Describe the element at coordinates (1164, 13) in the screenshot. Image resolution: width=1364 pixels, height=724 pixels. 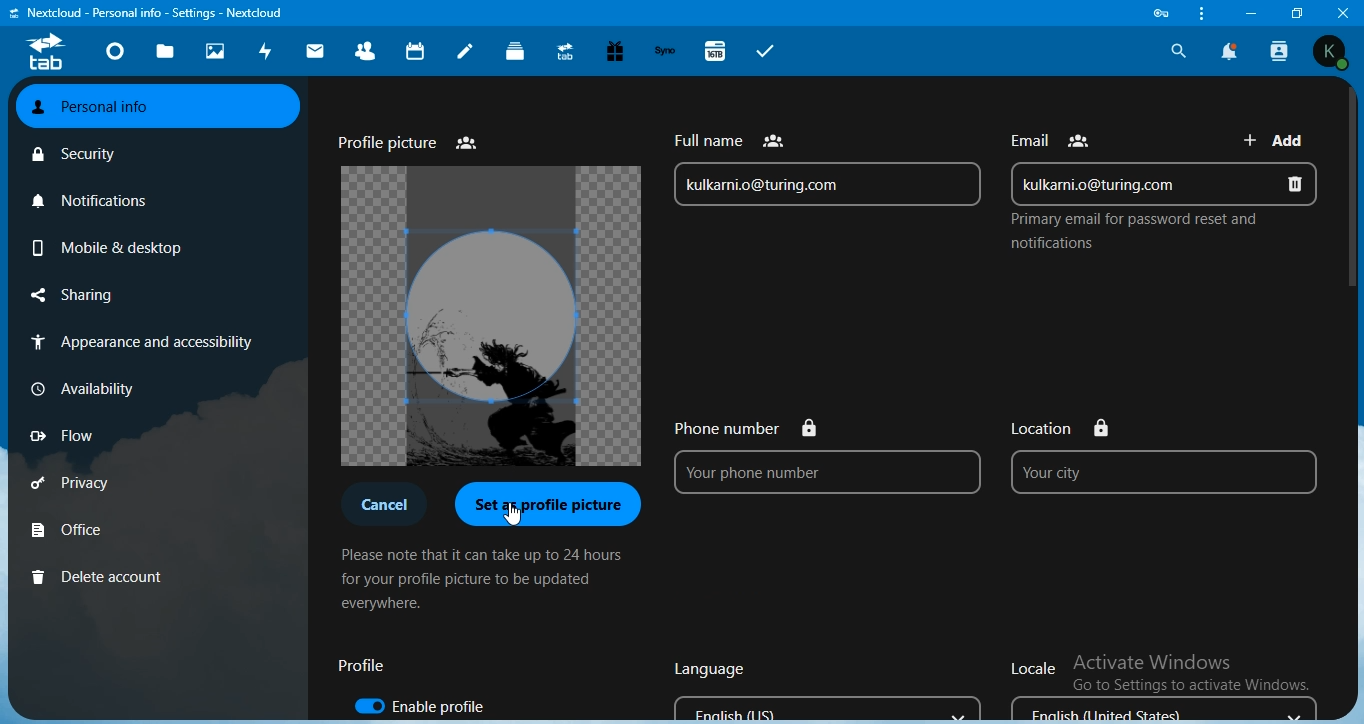
I see `icon` at that location.